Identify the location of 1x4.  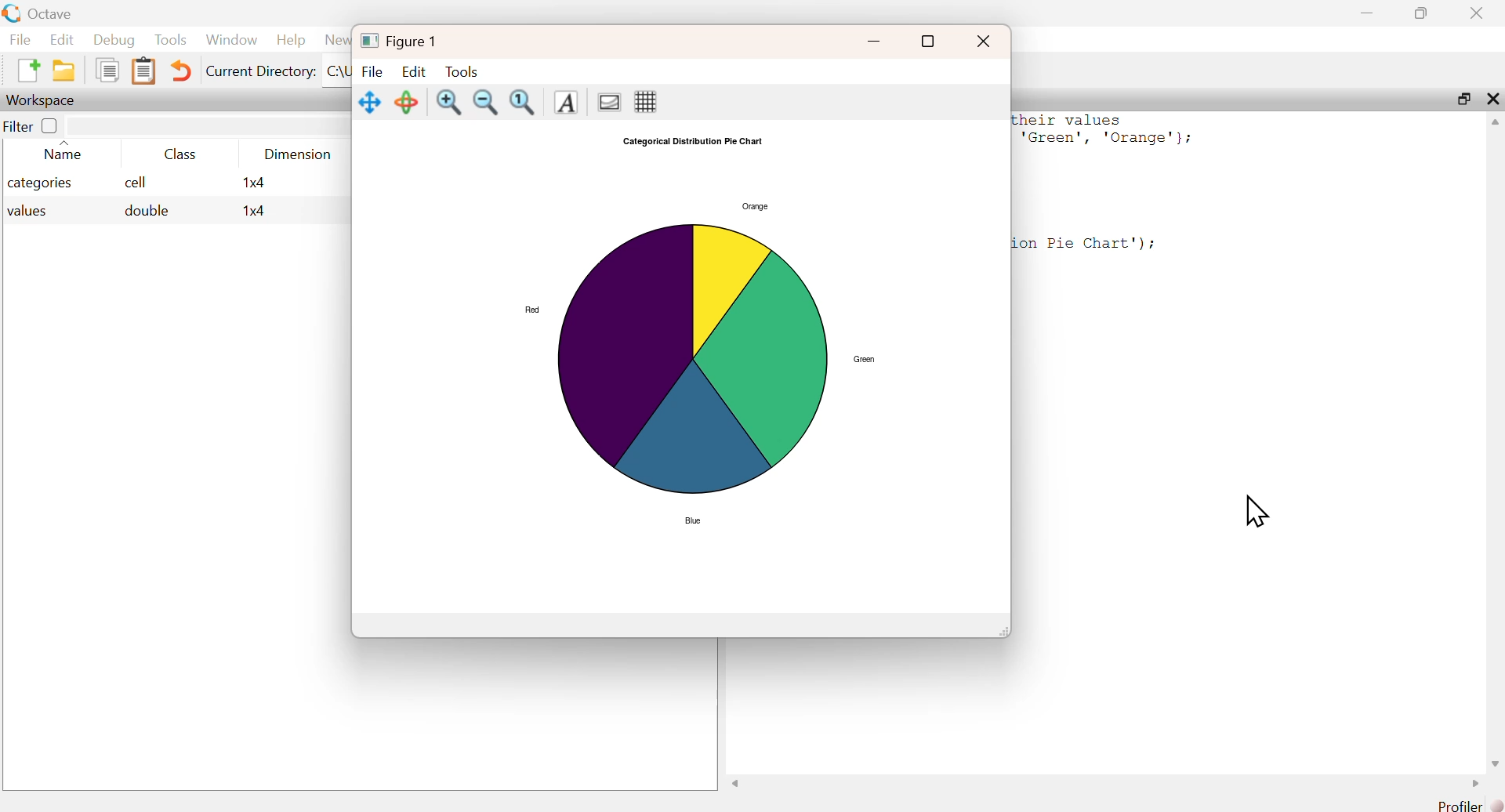
(254, 183).